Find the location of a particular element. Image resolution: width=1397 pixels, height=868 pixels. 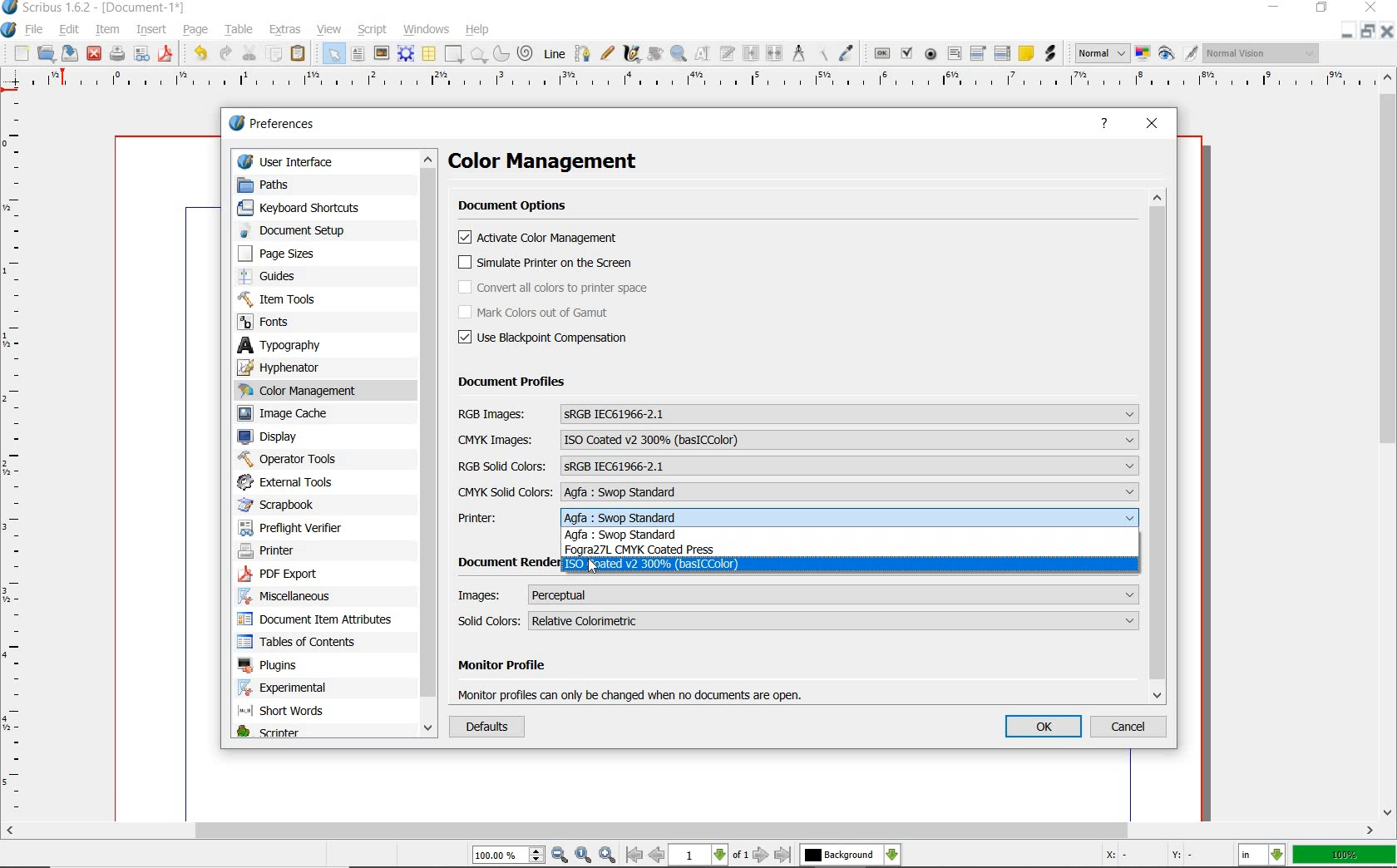

user interface is located at coordinates (298, 160).